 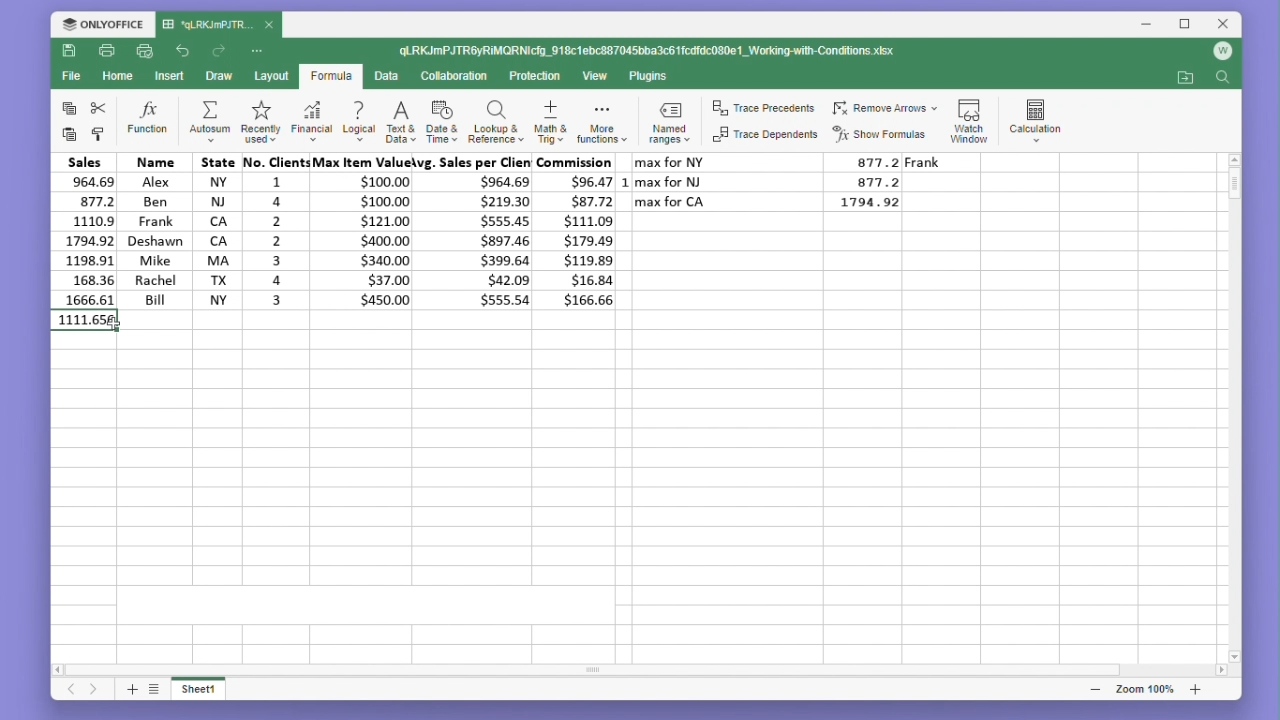 I want to click on max item value, so click(x=359, y=231).